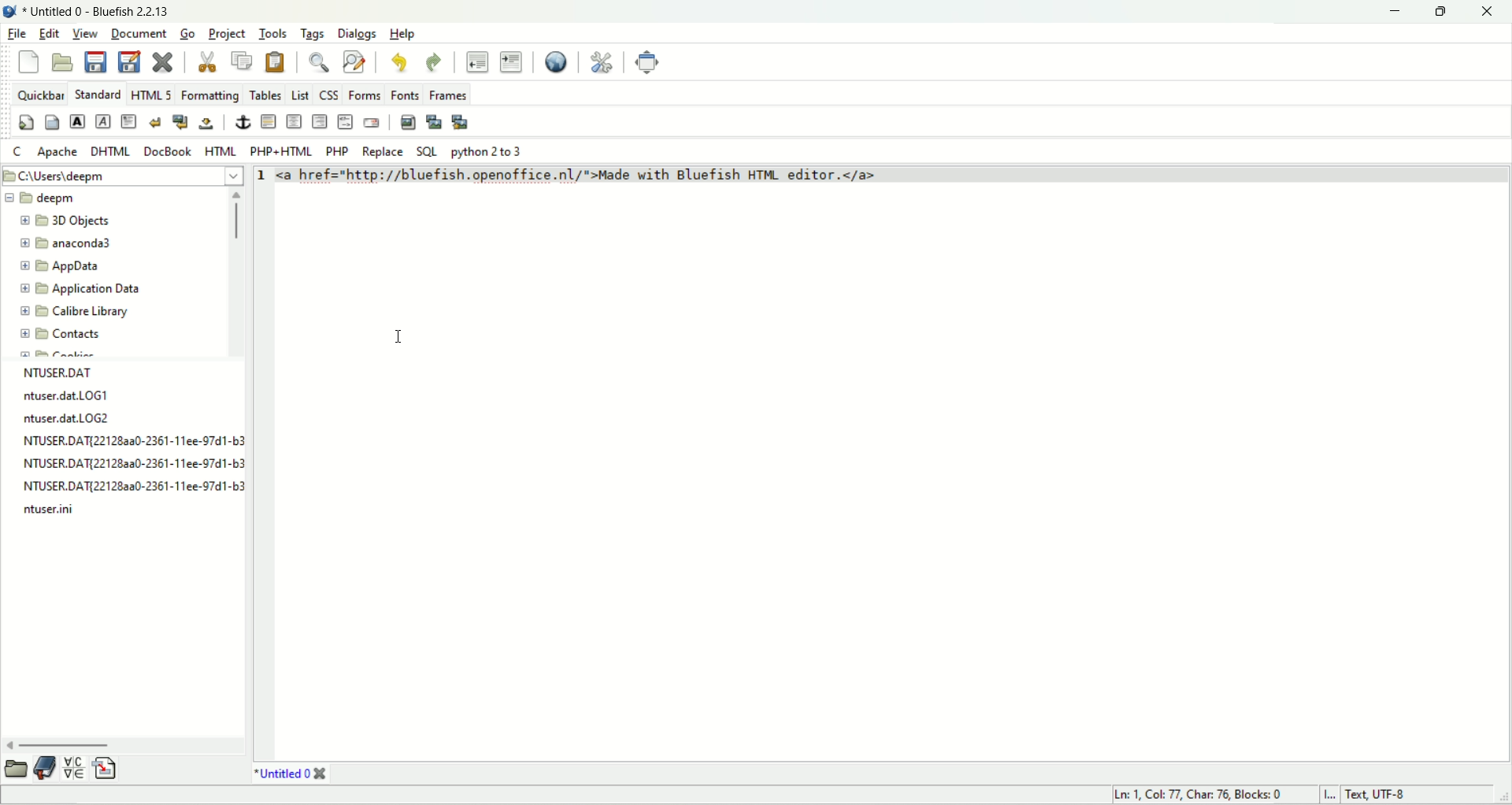 This screenshot has width=1512, height=805. Describe the element at coordinates (434, 124) in the screenshot. I see `insert thumbnail` at that location.